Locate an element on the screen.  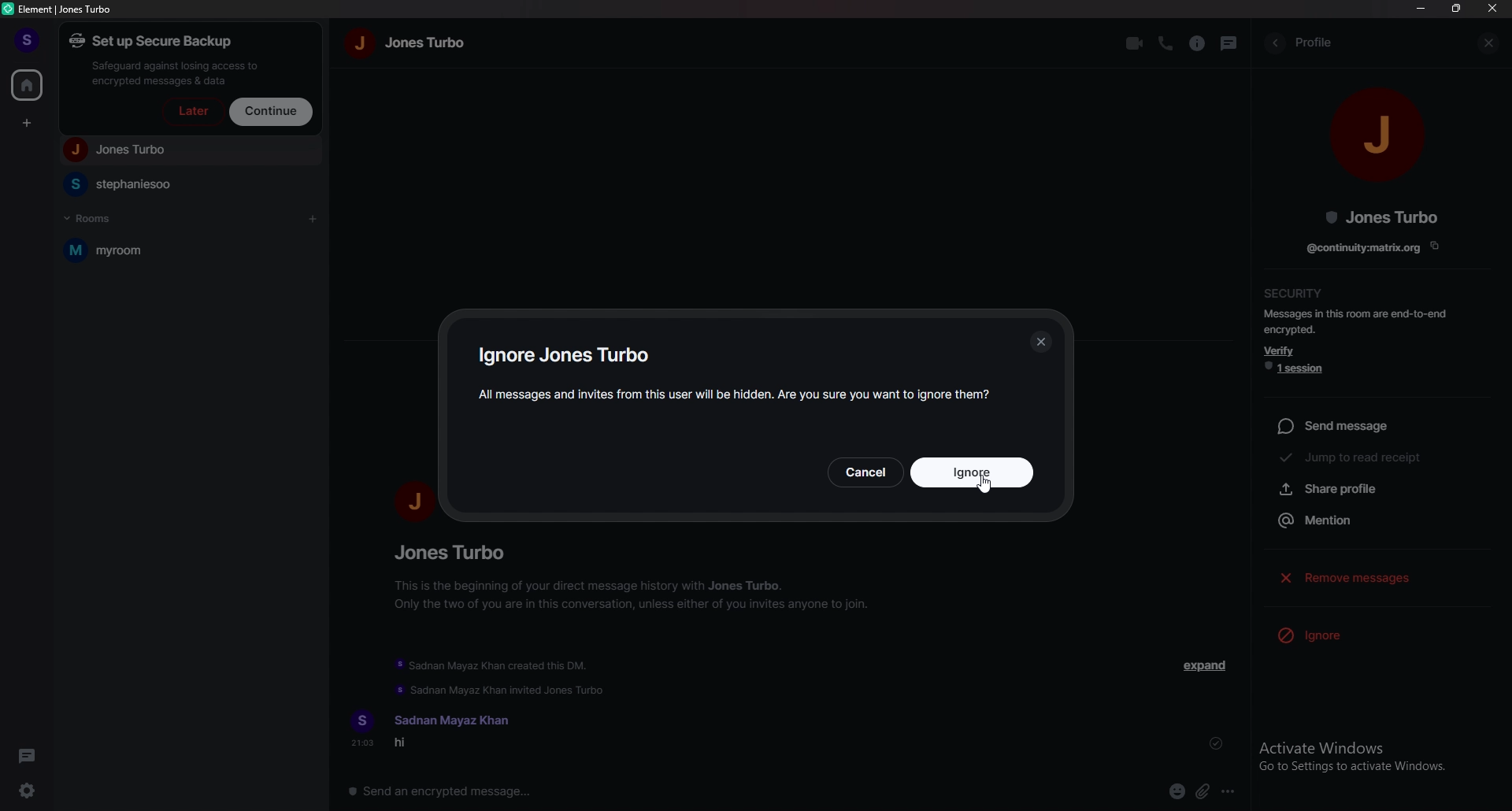
people is located at coordinates (187, 150).